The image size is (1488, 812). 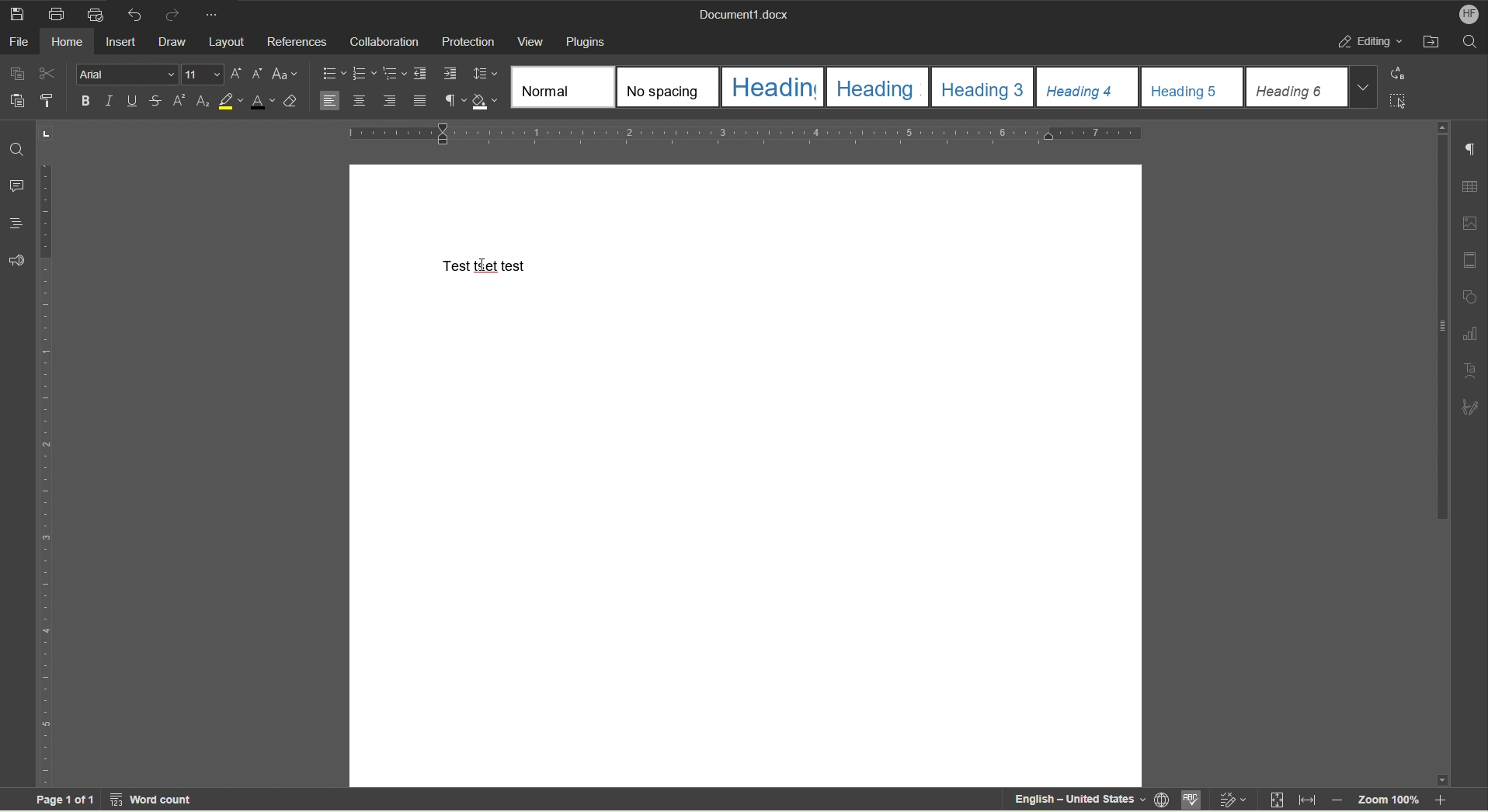 I want to click on Image Settings, so click(x=1469, y=226).